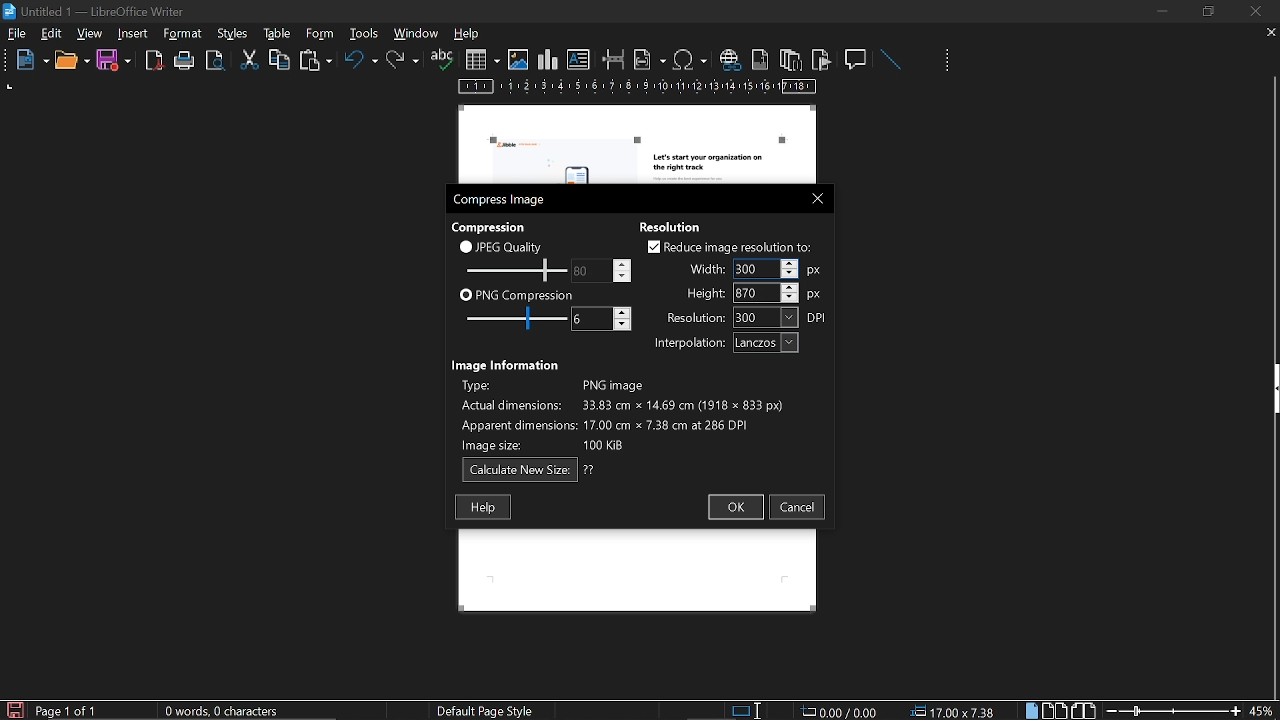 The image size is (1280, 720). What do you see at coordinates (842, 710) in the screenshot?
I see `0.00 / 0.00` at bounding box center [842, 710].